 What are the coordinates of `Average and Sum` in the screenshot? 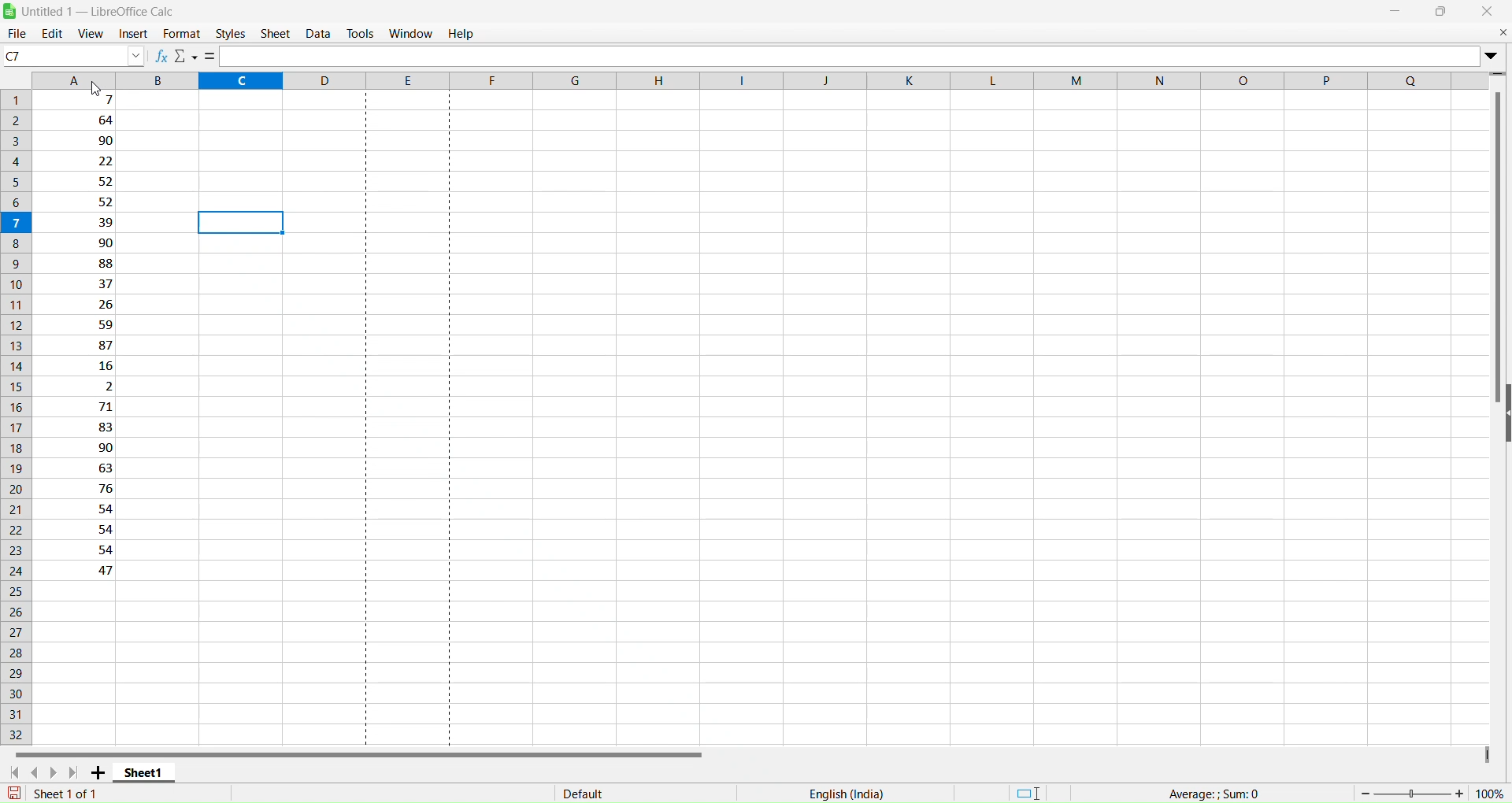 It's located at (1217, 786).